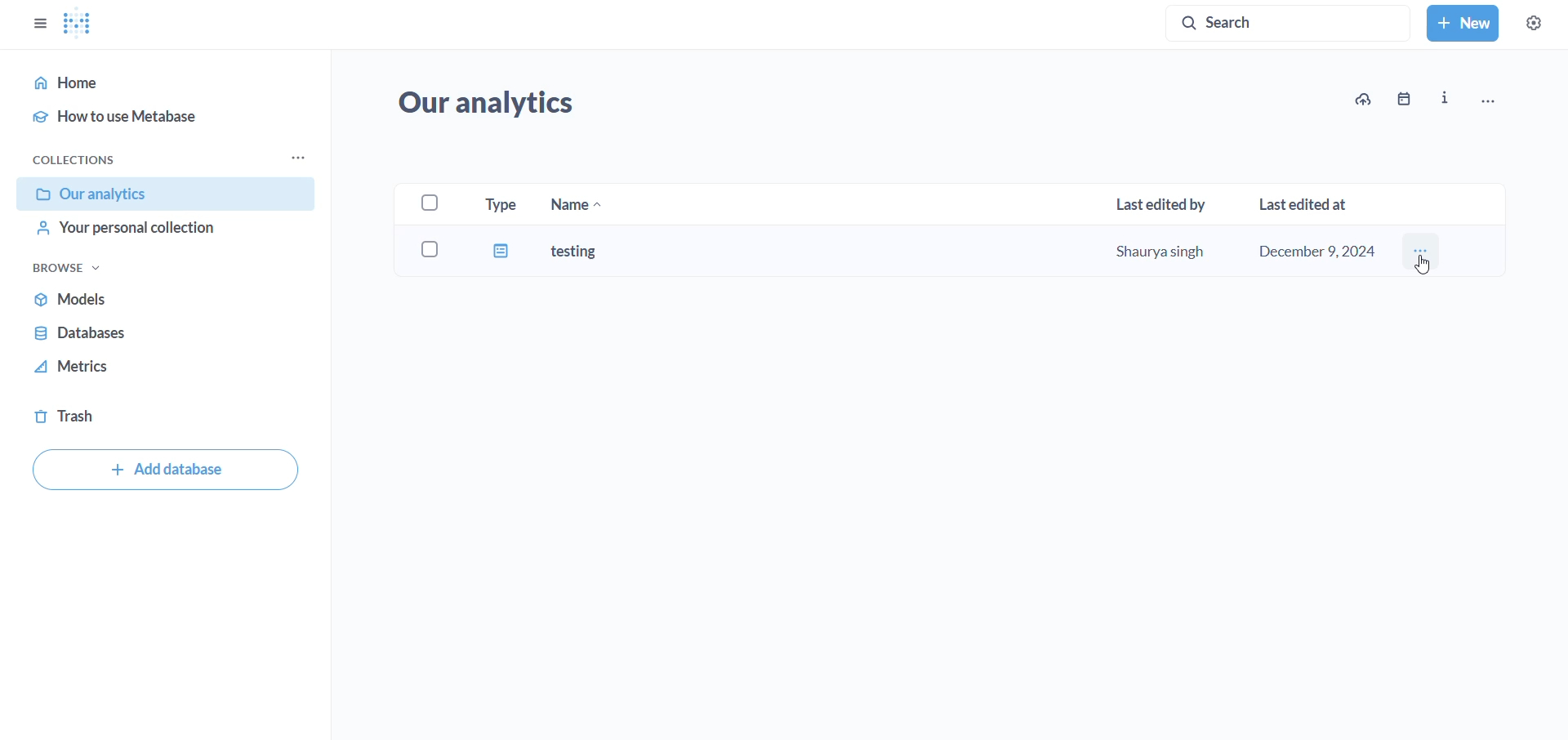  Describe the element at coordinates (75, 159) in the screenshot. I see `collections` at that location.